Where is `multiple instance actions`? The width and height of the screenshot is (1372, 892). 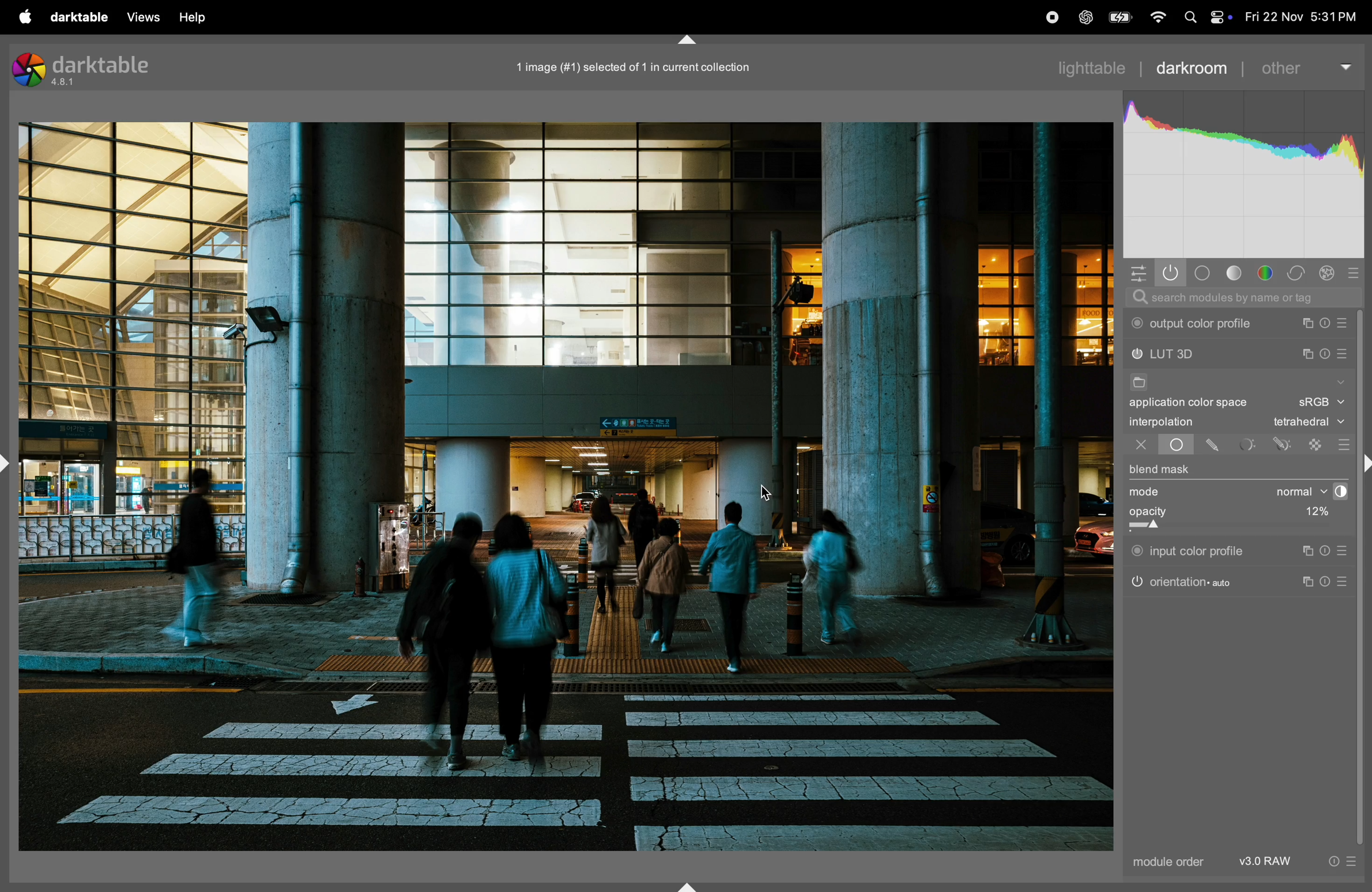 multiple instance actions is located at coordinates (1308, 323).